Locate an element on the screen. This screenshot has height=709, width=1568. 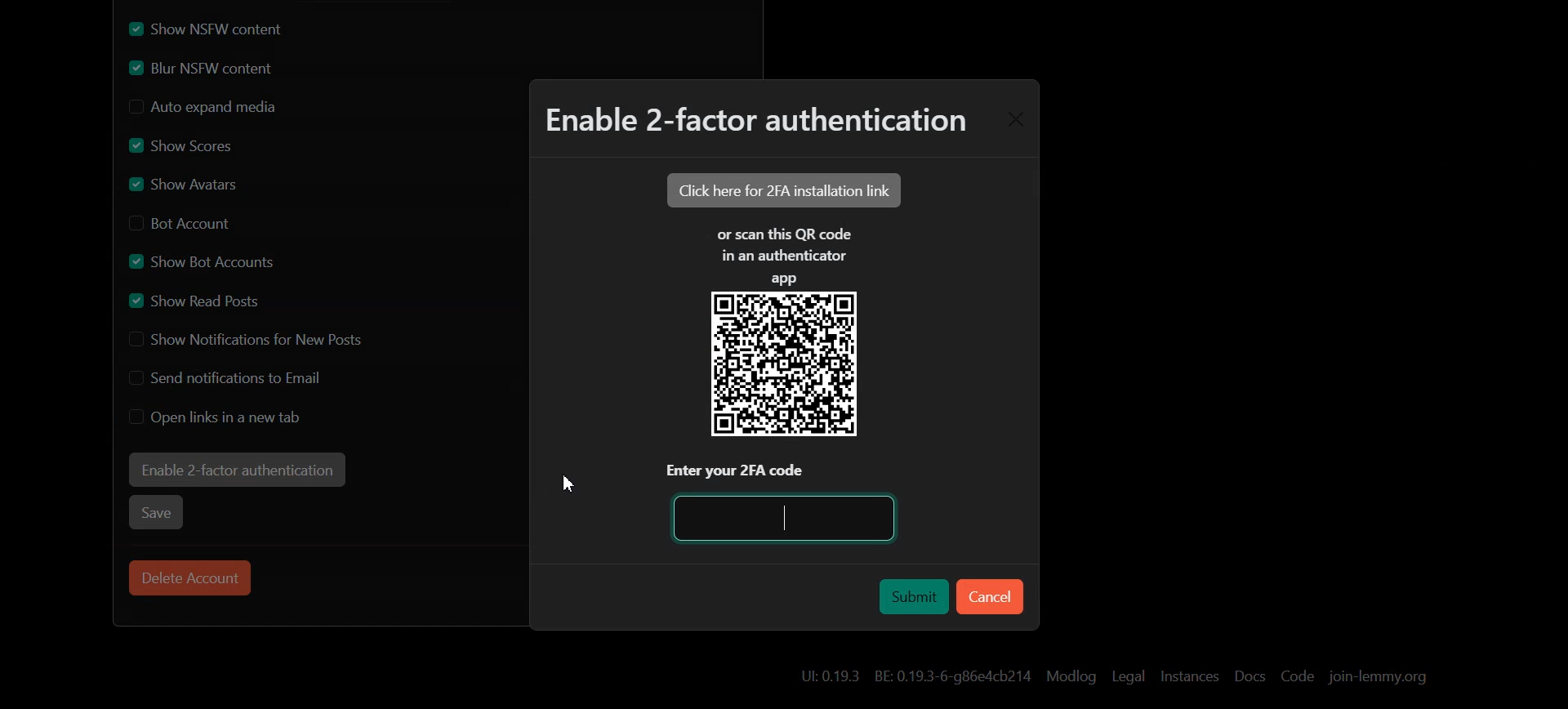
join-lemmy.org is located at coordinates (1377, 676).